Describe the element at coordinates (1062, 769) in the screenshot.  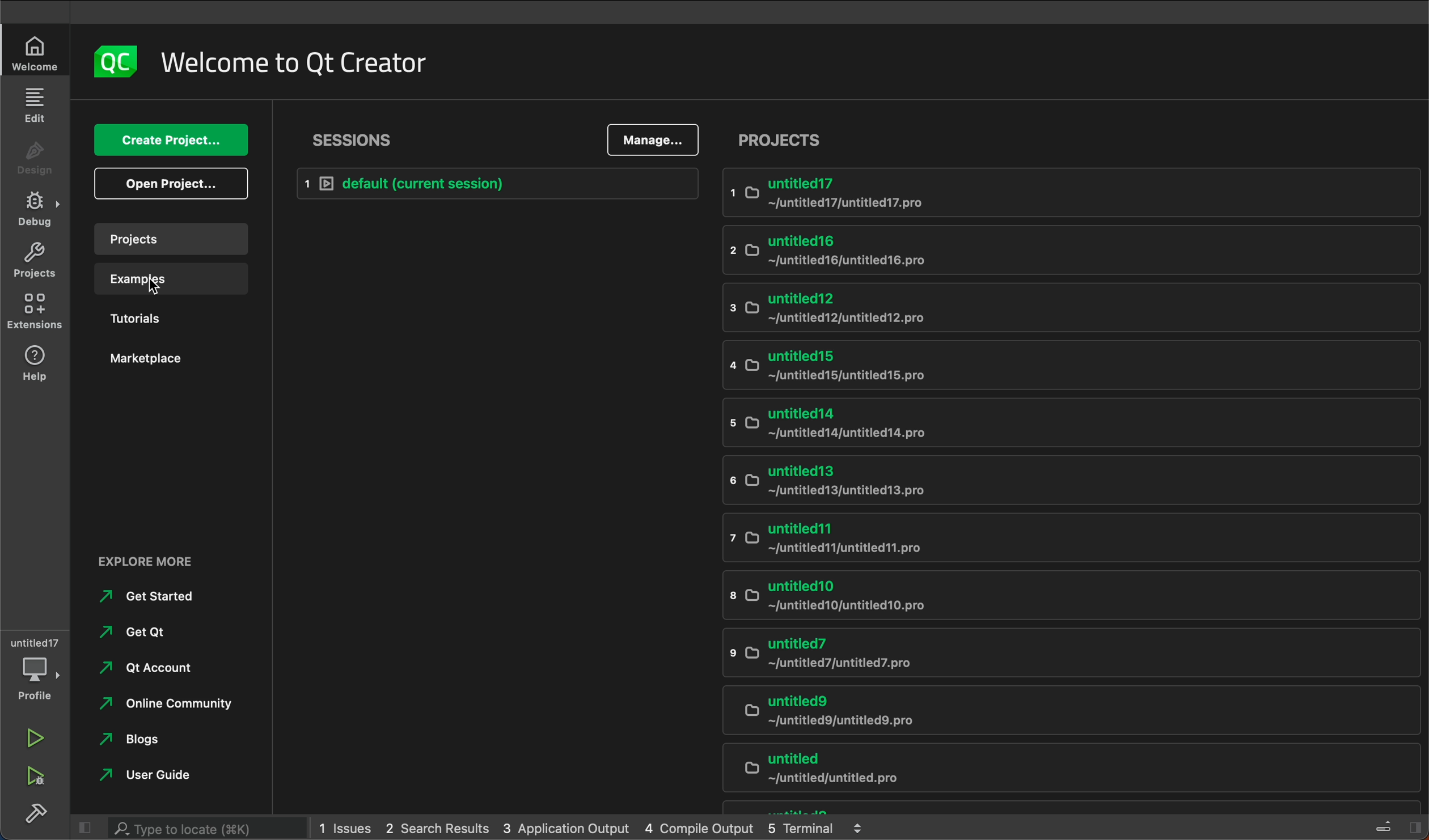
I see `untitled` at that location.